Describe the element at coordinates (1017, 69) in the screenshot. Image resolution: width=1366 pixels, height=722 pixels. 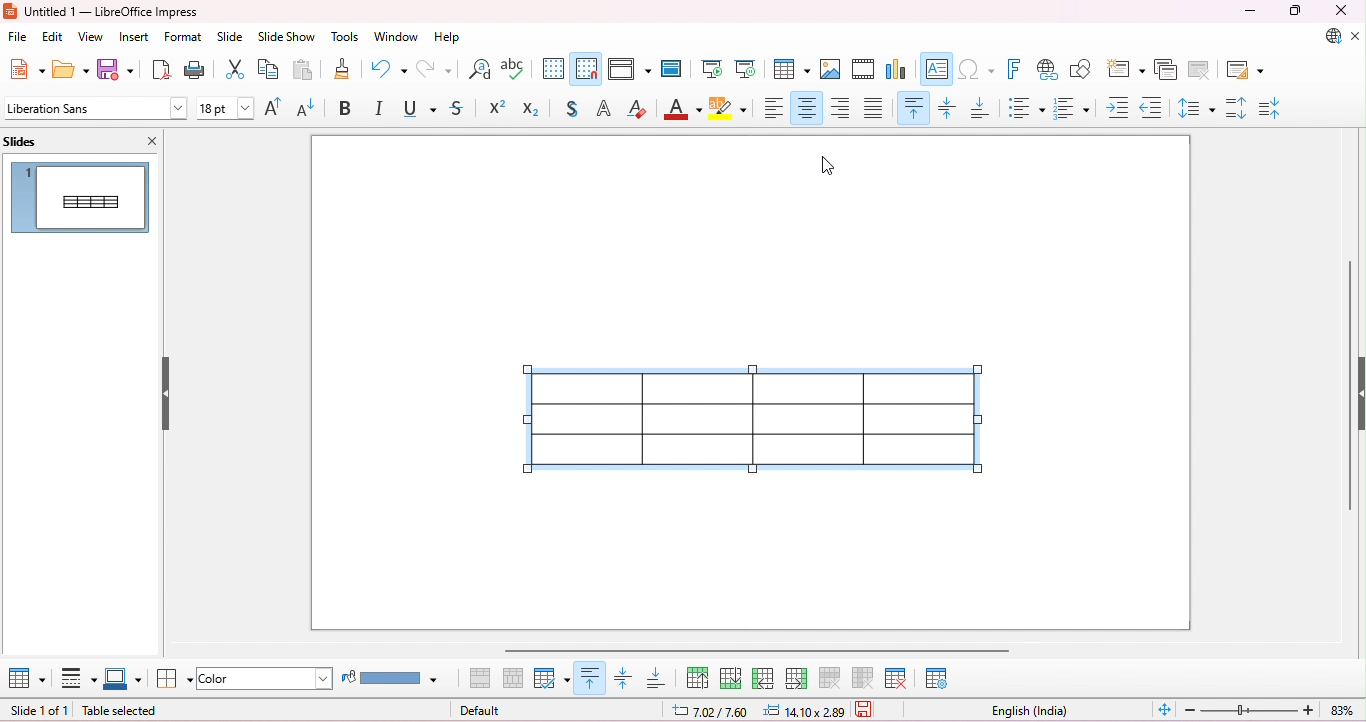
I see `insert fontwork text` at that location.